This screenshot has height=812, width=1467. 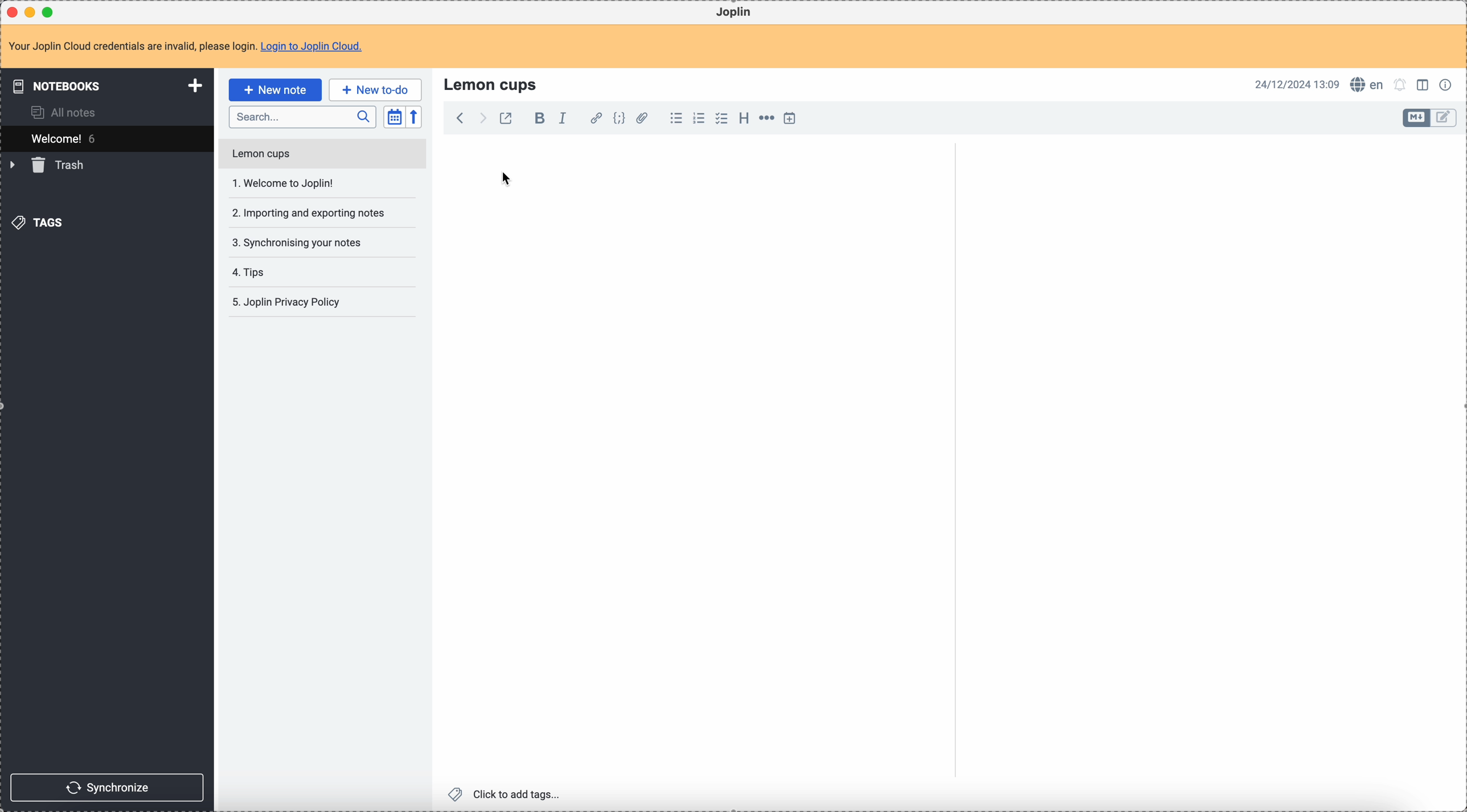 What do you see at coordinates (67, 112) in the screenshot?
I see `all notes` at bounding box center [67, 112].